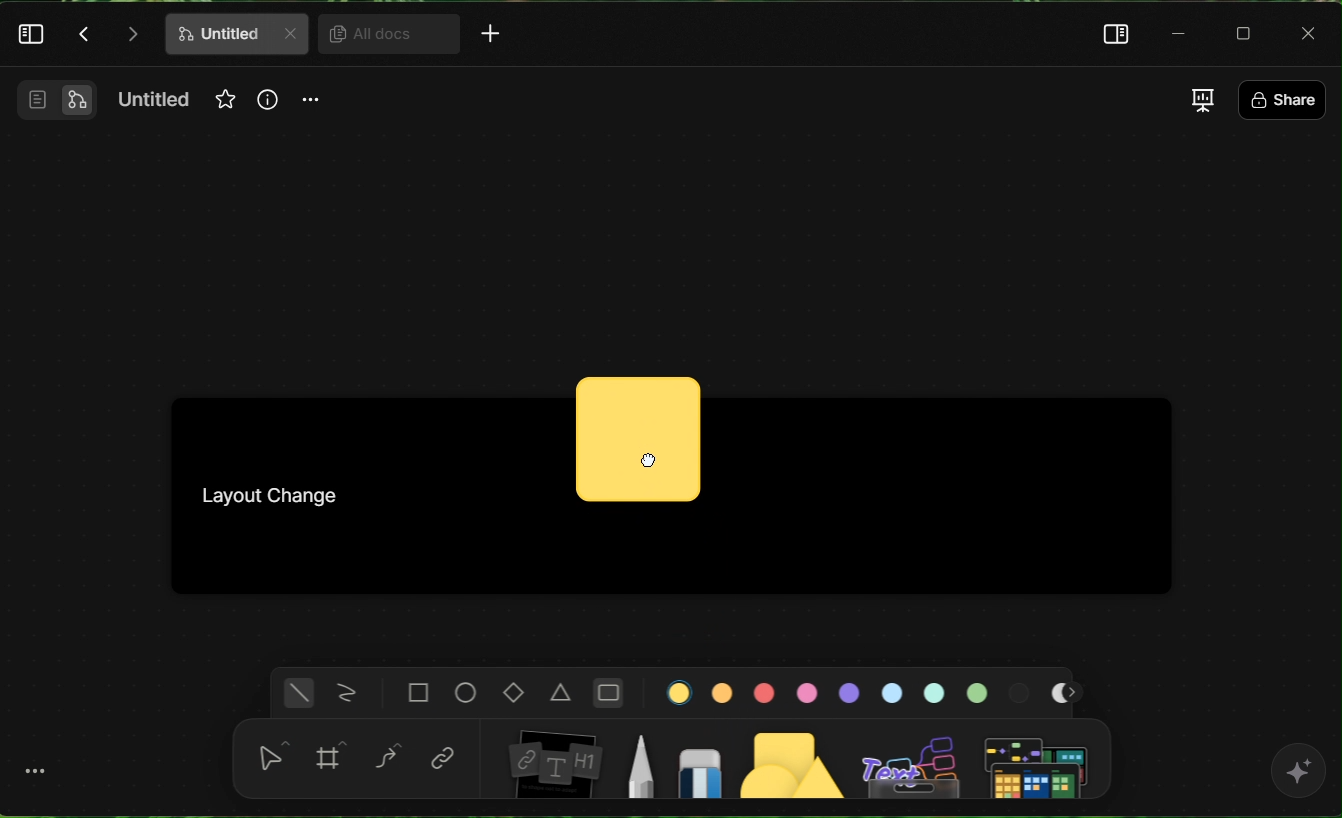 This screenshot has height=818, width=1342. I want to click on select, so click(271, 764).